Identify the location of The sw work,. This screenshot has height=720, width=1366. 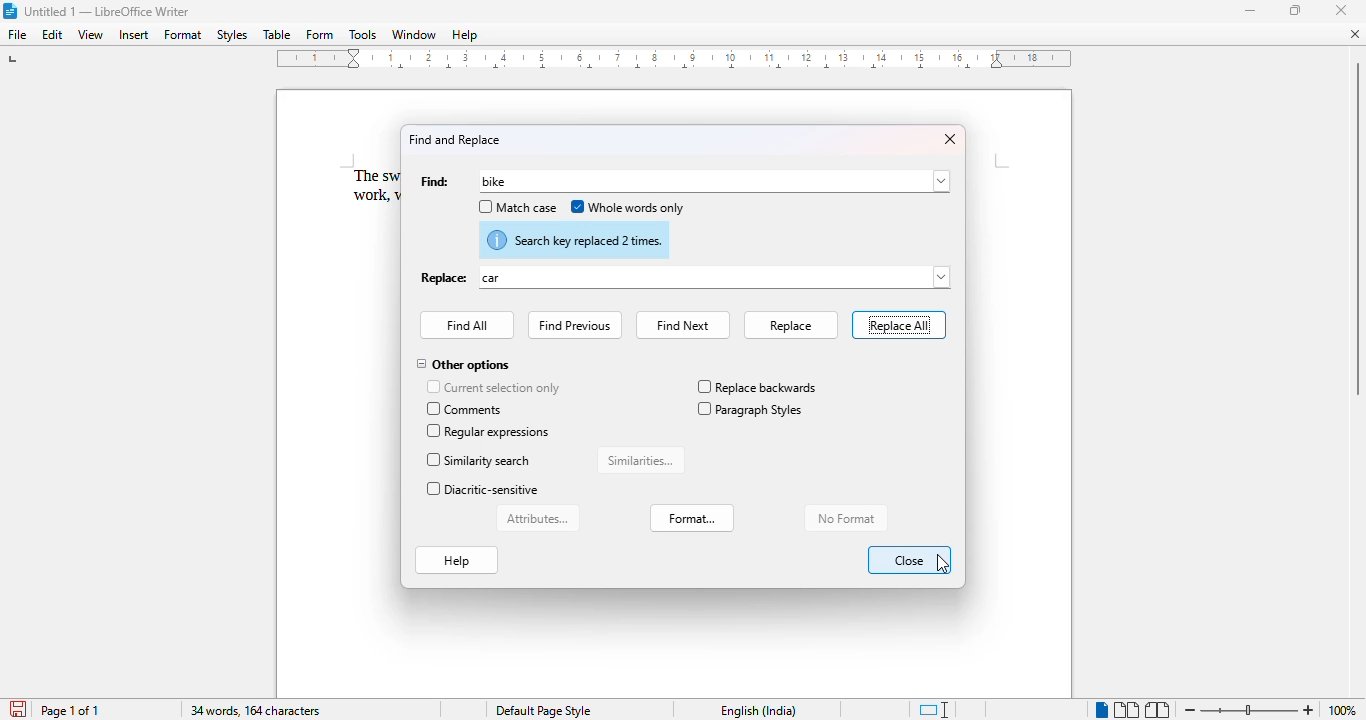
(363, 186).